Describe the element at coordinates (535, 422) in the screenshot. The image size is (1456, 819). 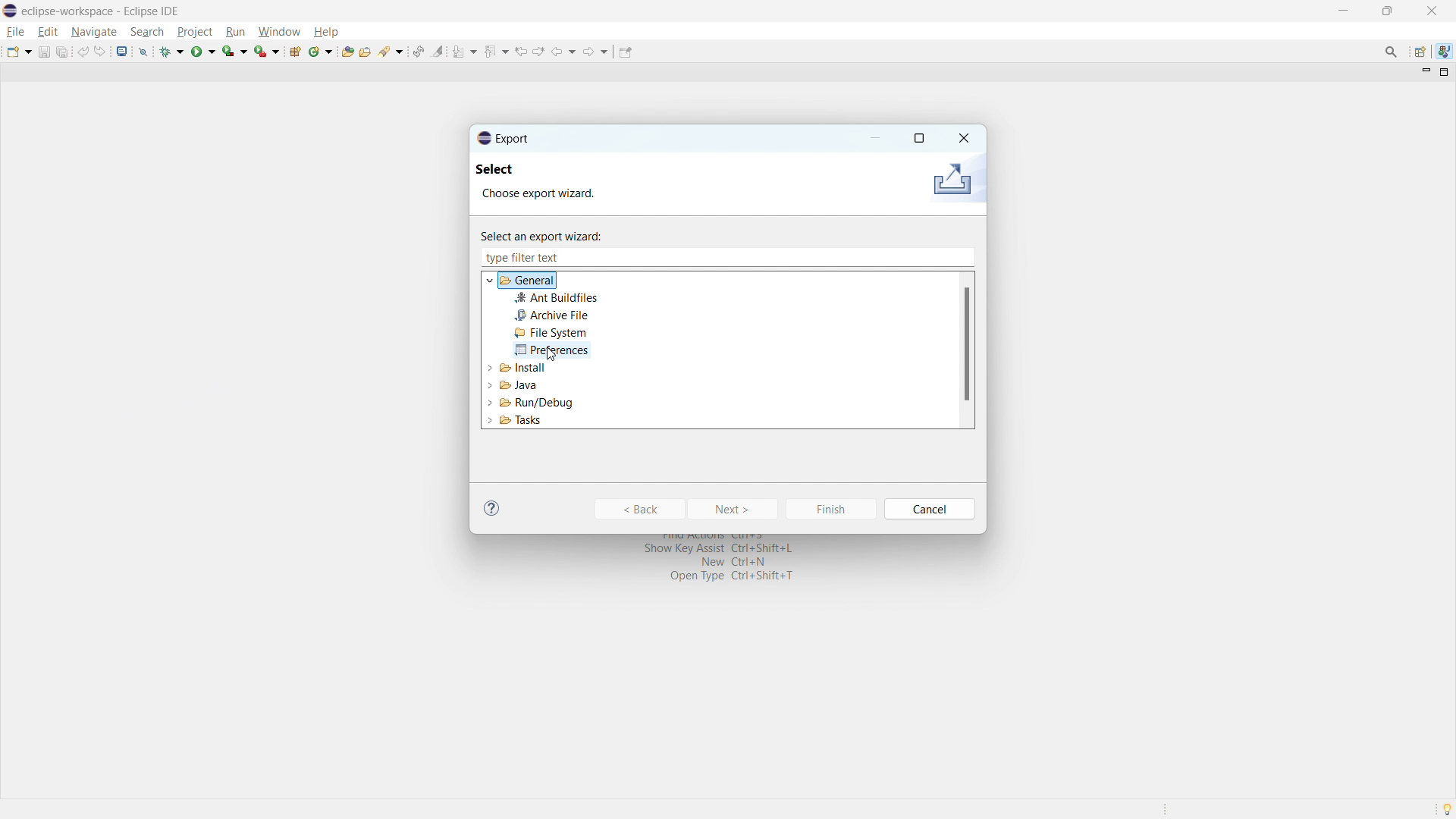
I see `Tasks` at that location.